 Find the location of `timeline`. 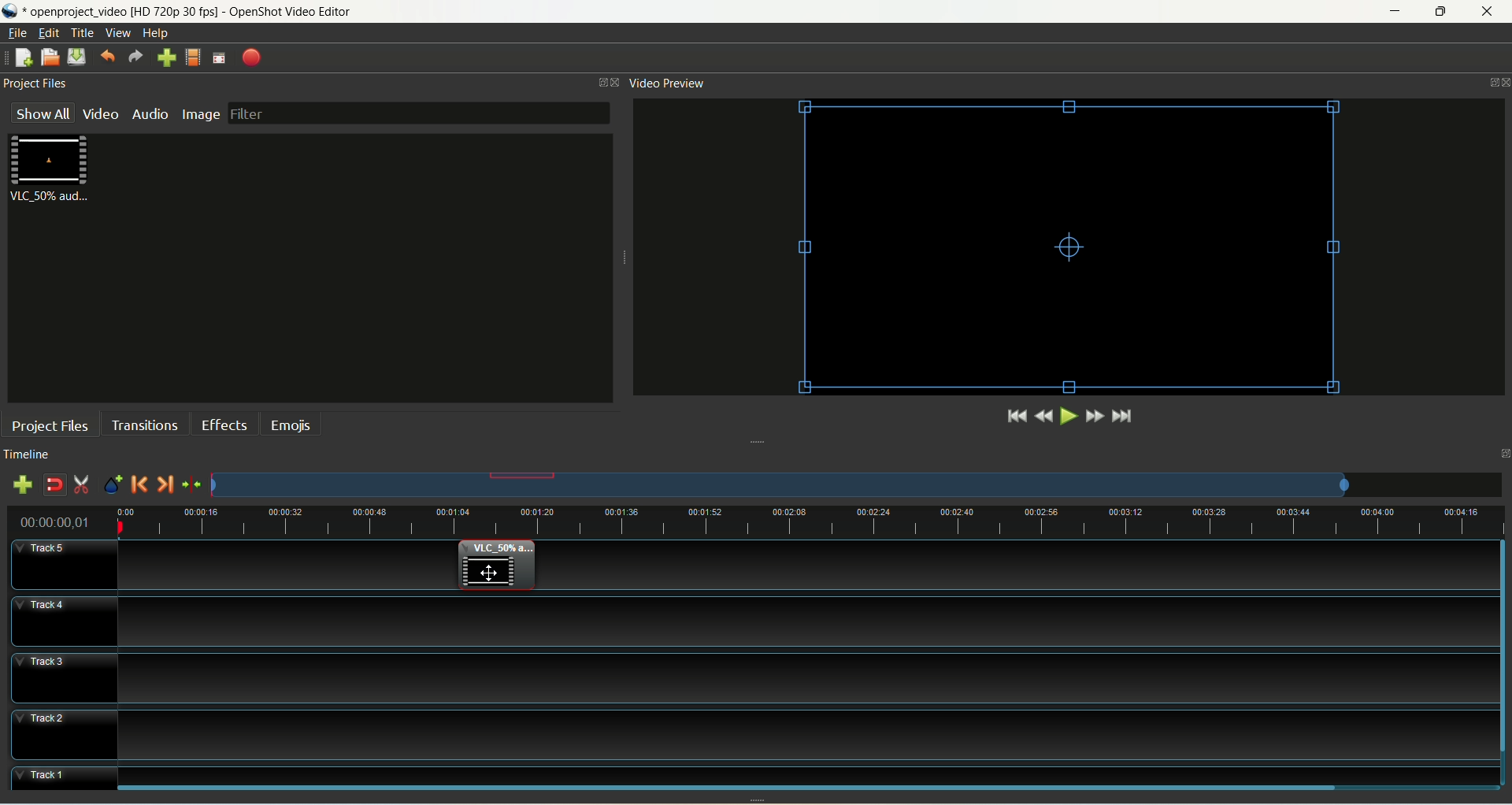

timeline is located at coordinates (31, 454).